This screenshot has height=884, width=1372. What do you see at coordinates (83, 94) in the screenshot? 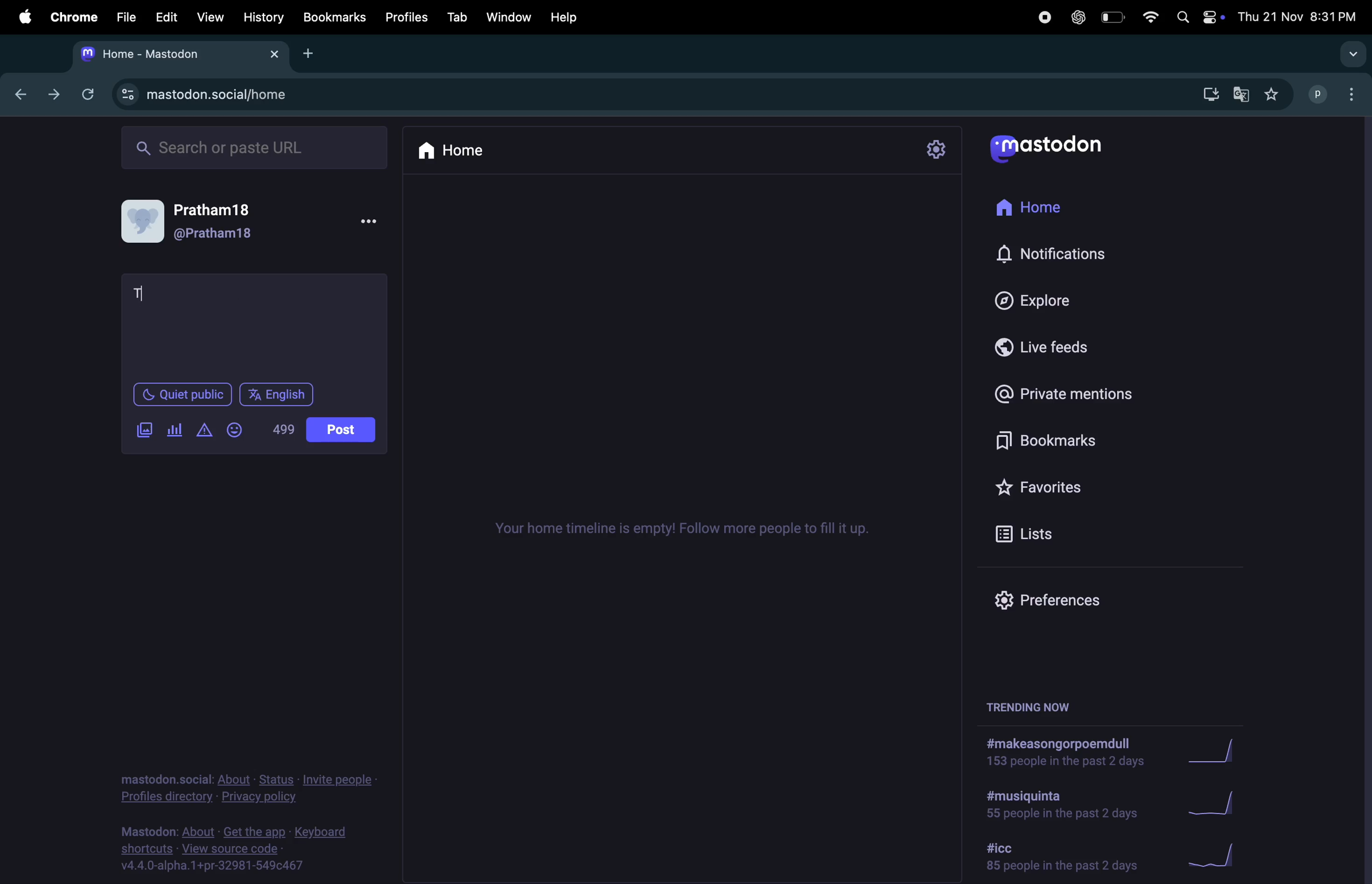
I see `refresh` at bounding box center [83, 94].